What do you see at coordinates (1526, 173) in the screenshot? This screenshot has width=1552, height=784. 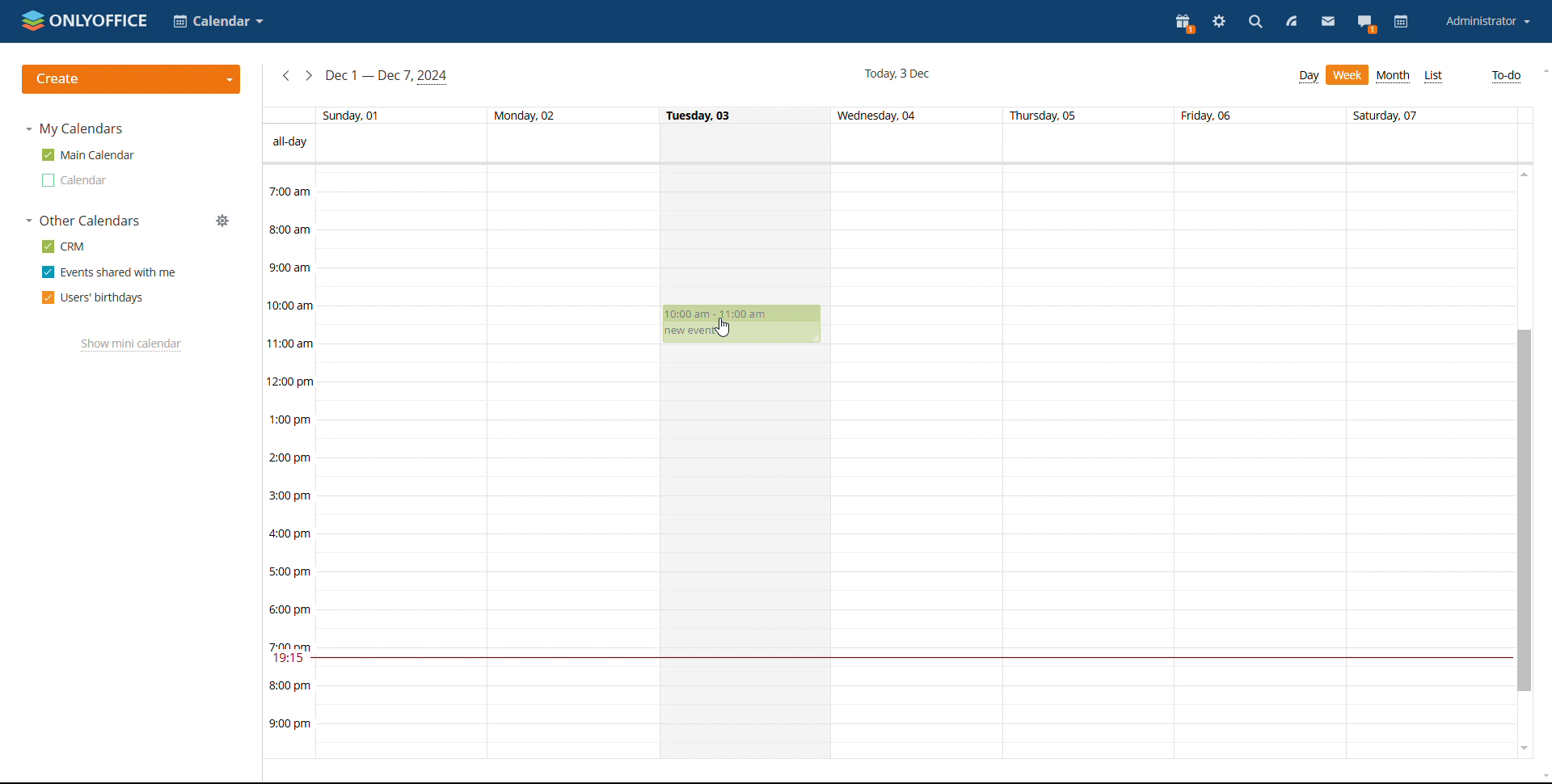 I see `scroll  up` at bounding box center [1526, 173].